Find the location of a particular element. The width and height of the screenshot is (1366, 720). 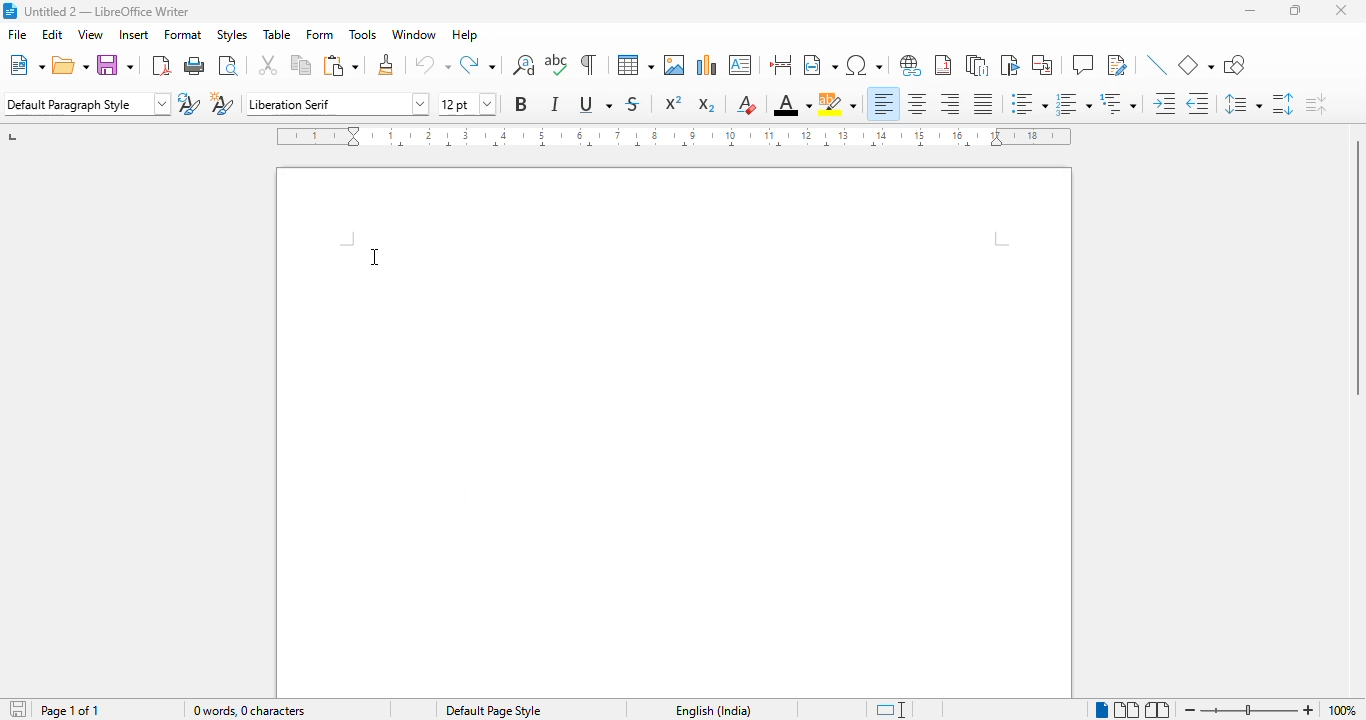

insert bookmark is located at coordinates (1010, 65).